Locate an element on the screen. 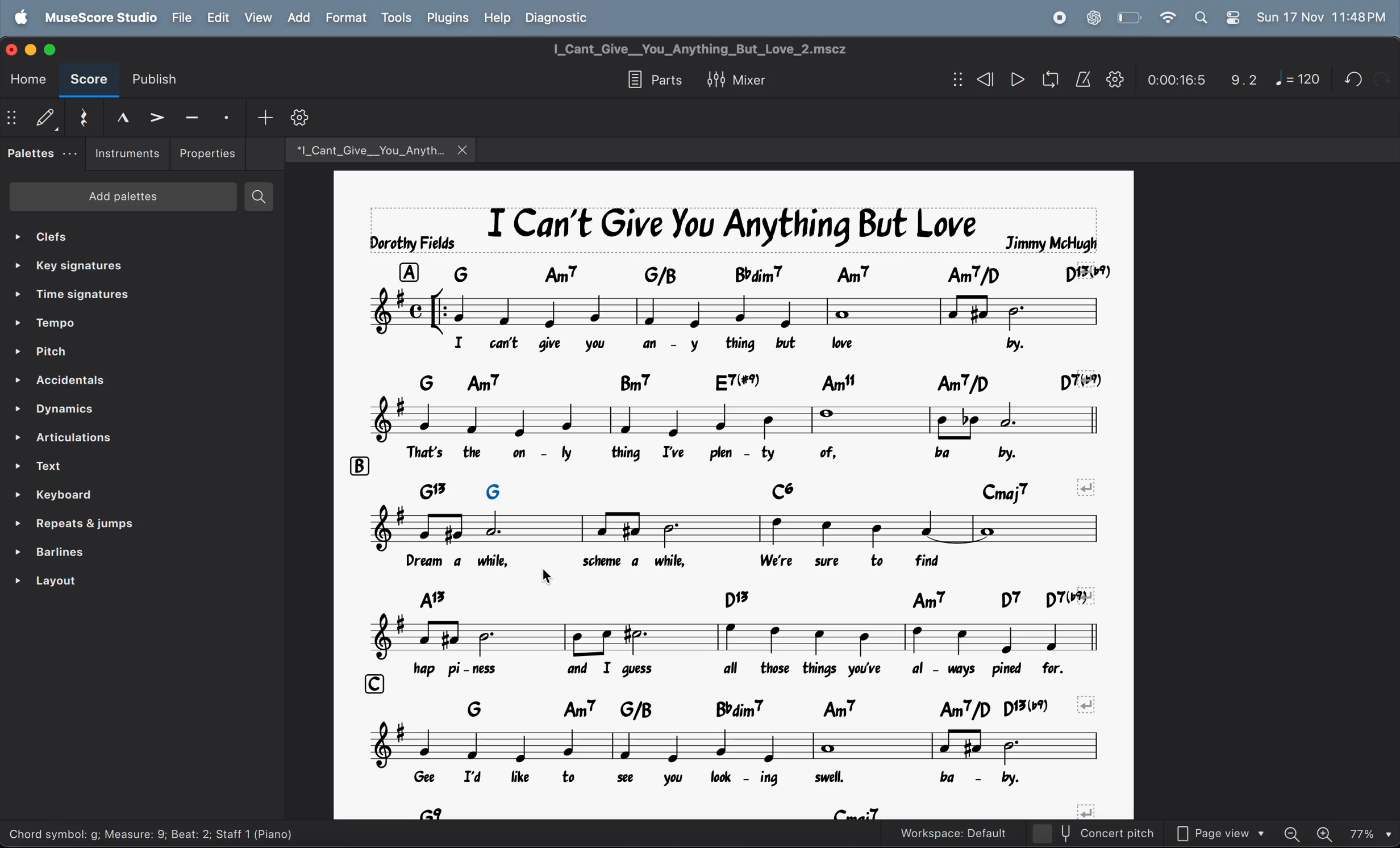 This screenshot has height=848, width=1400. barlines is located at coordinates (116, 554).